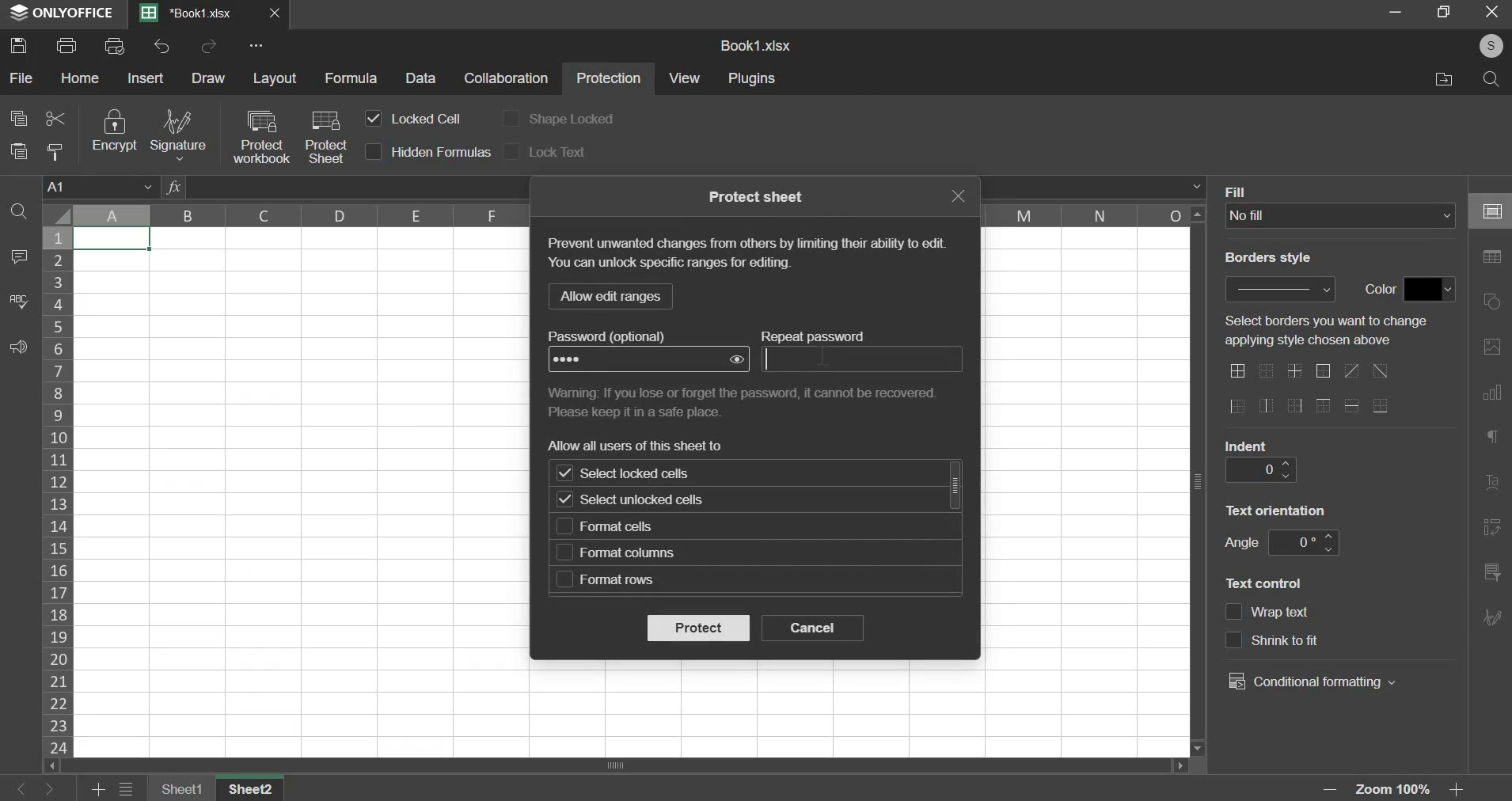 This screenshot has height=801, width=1512. What do you see at coordinates (1199, 481) in the screenshot?
I see `Scroll bar` at bounding box center [1199, 481].